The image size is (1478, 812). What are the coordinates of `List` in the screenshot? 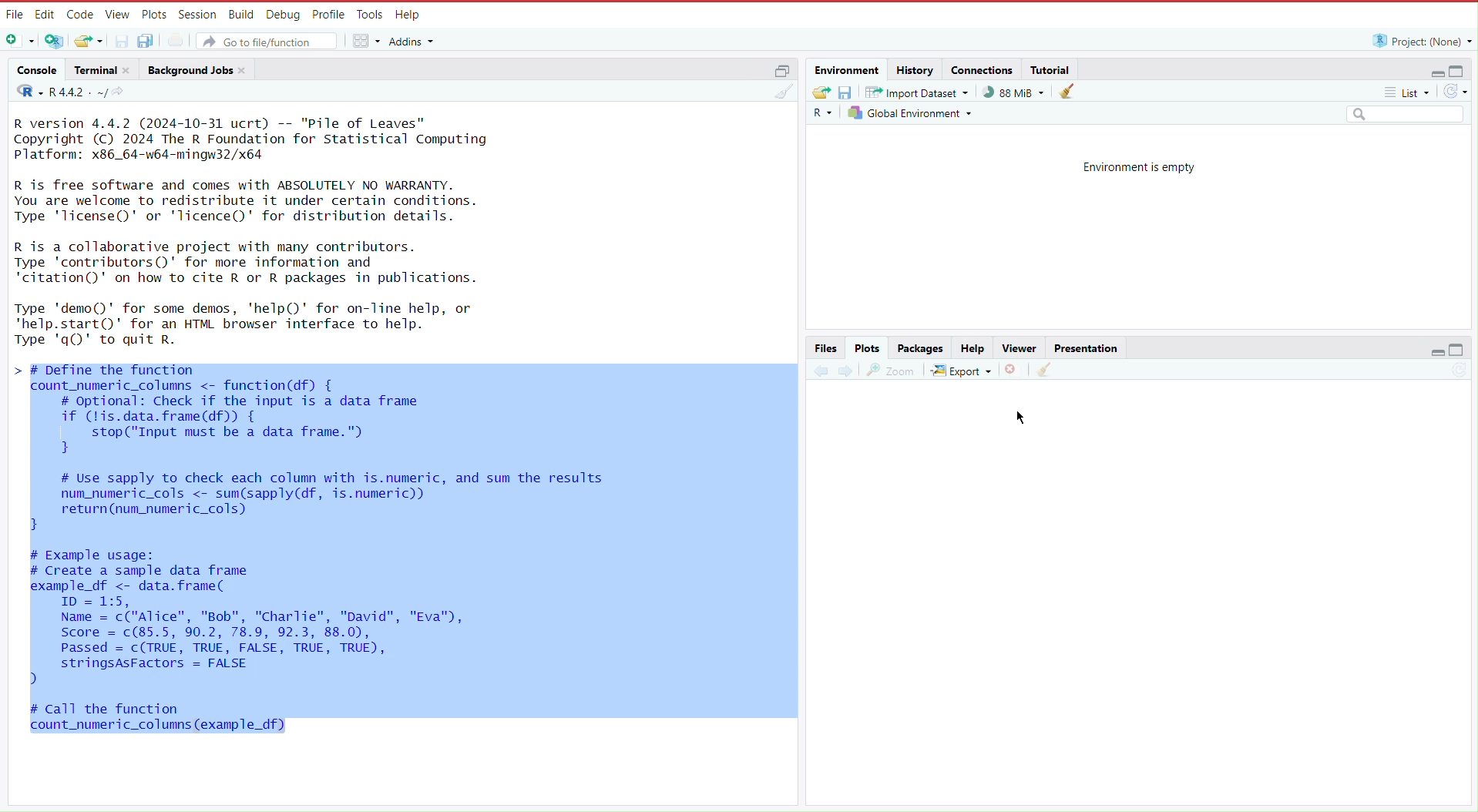 It's located at (1409, 95).